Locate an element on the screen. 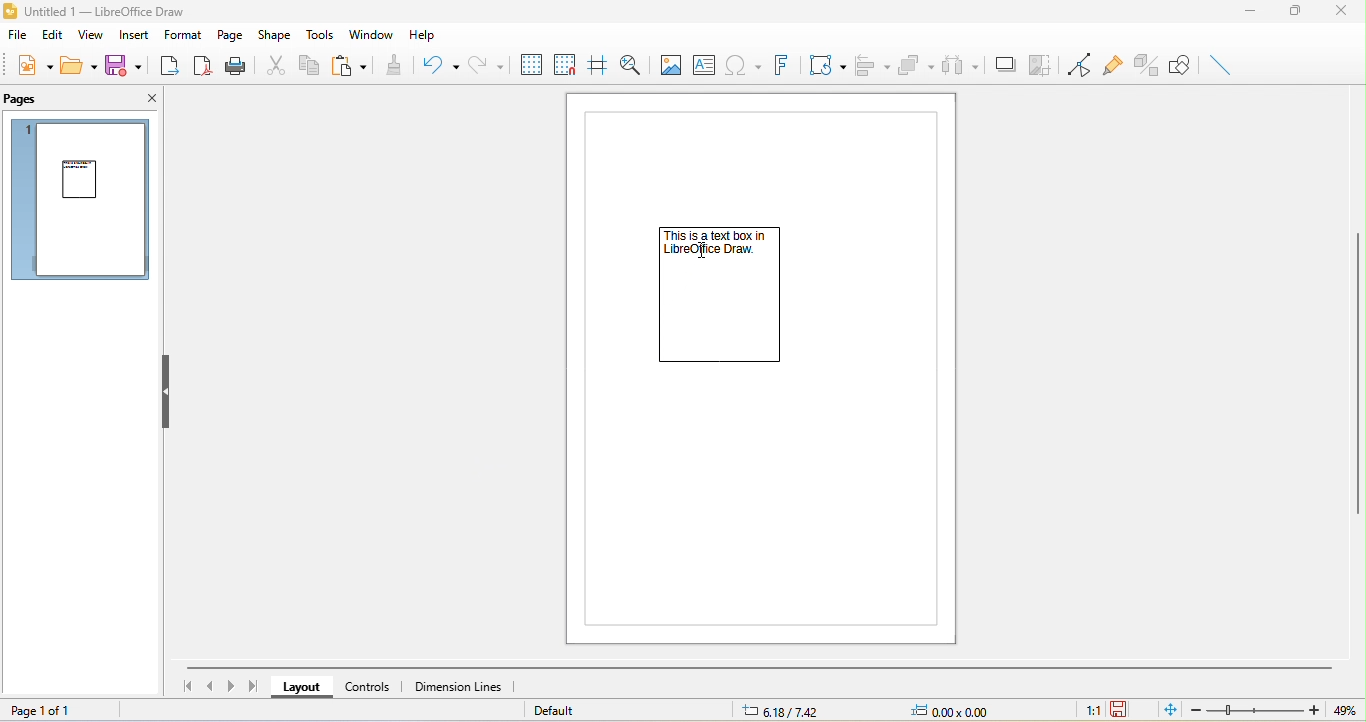  align object is located at coordinates (871, 67).